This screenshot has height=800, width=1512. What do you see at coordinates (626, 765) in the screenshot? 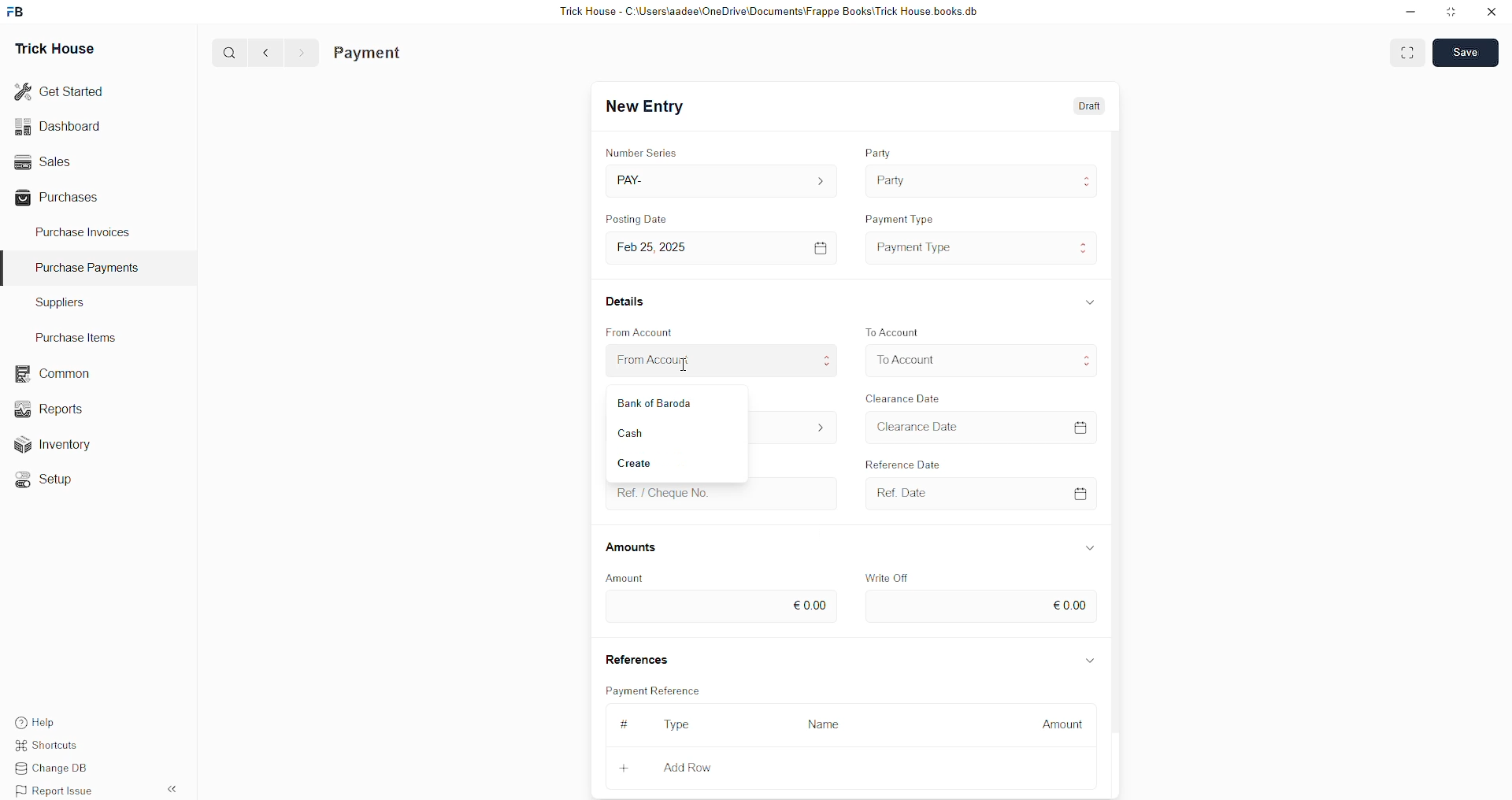
I see `+` at bounding box center [626, 765].